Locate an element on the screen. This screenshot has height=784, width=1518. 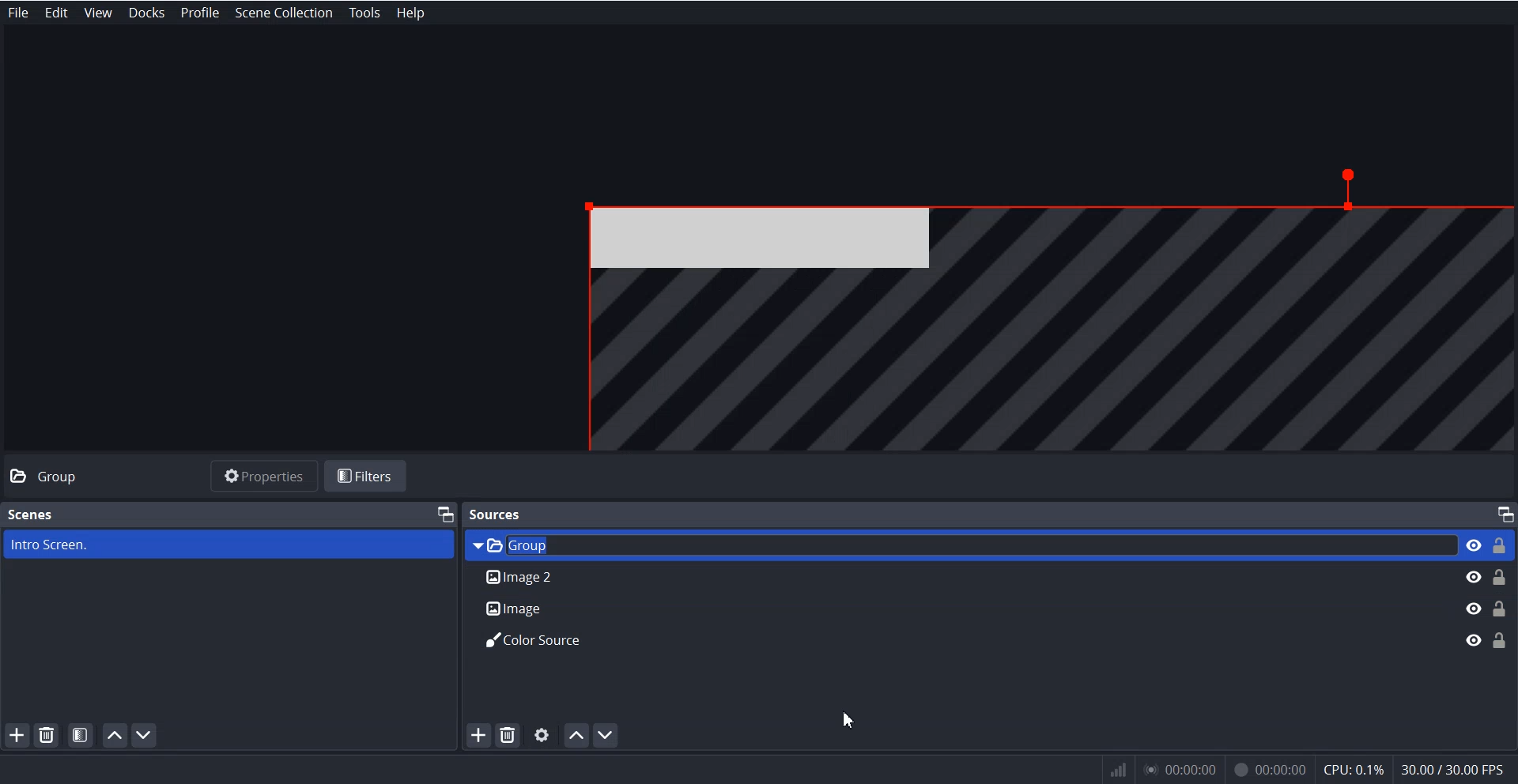
30.007 30.00 EPs is located at coordinates (1458, 768).